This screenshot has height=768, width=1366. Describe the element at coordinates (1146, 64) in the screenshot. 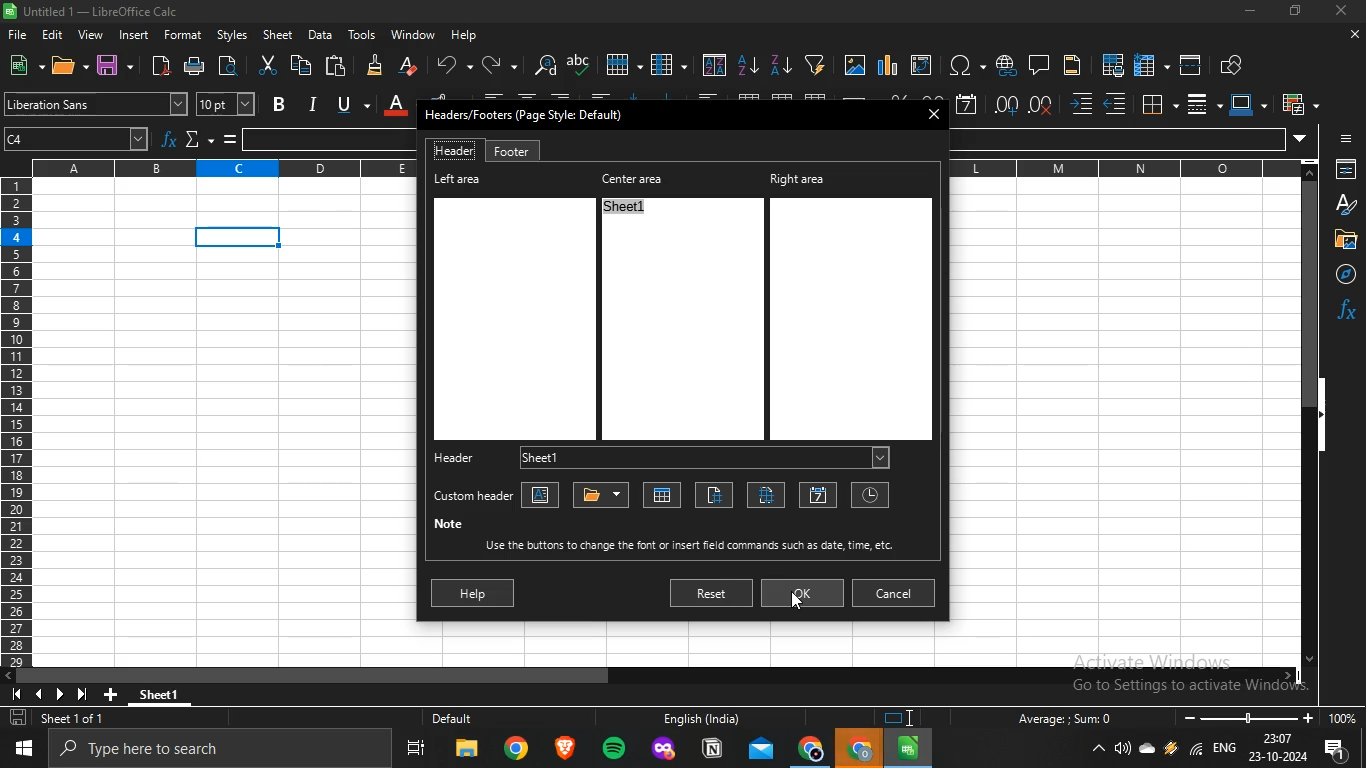

I see `freeze rows and columns` at that location.